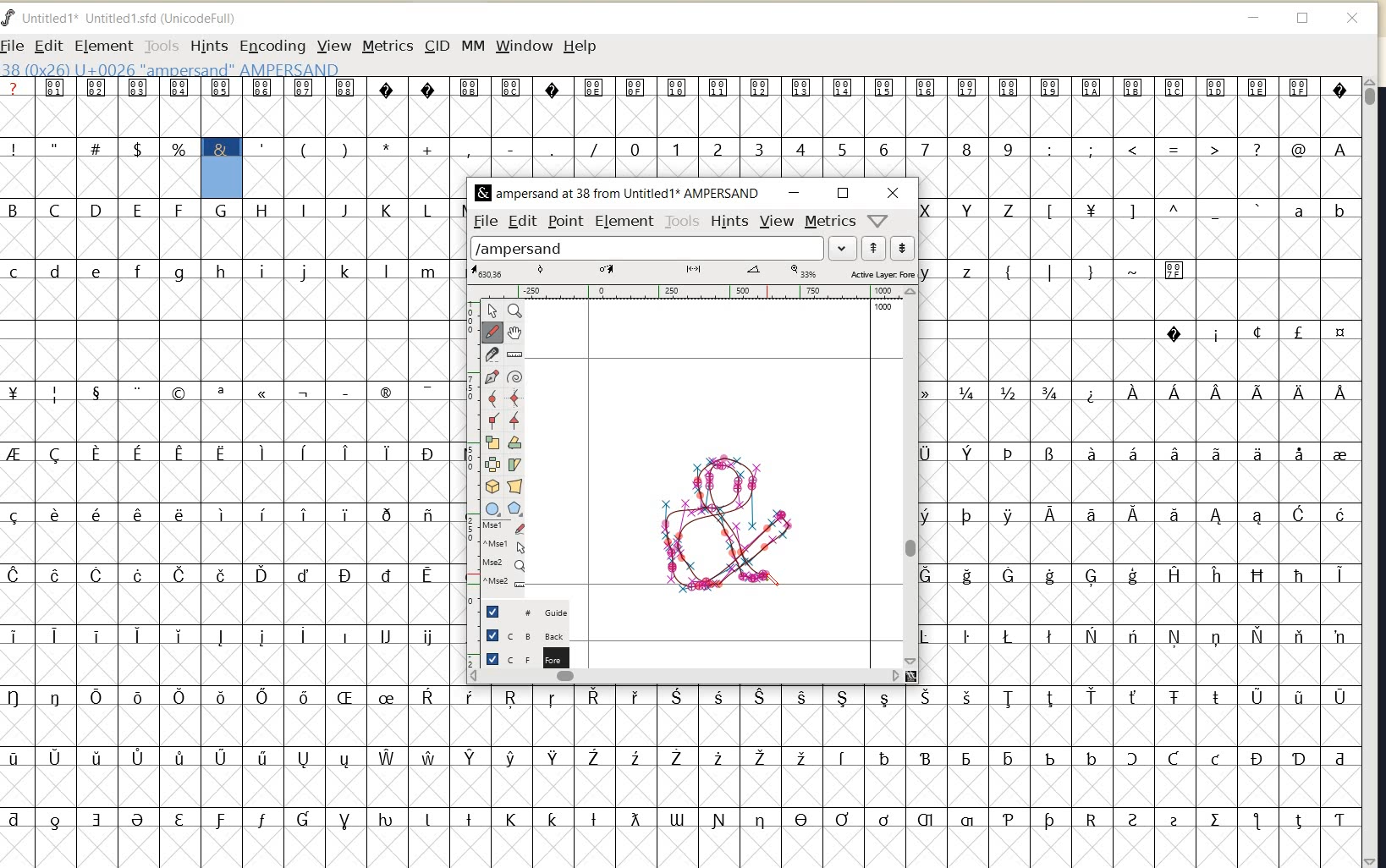  Describe the element at coordinates (693, 272) in the screenshot. I see `ACTIVE LAYER` at that location.